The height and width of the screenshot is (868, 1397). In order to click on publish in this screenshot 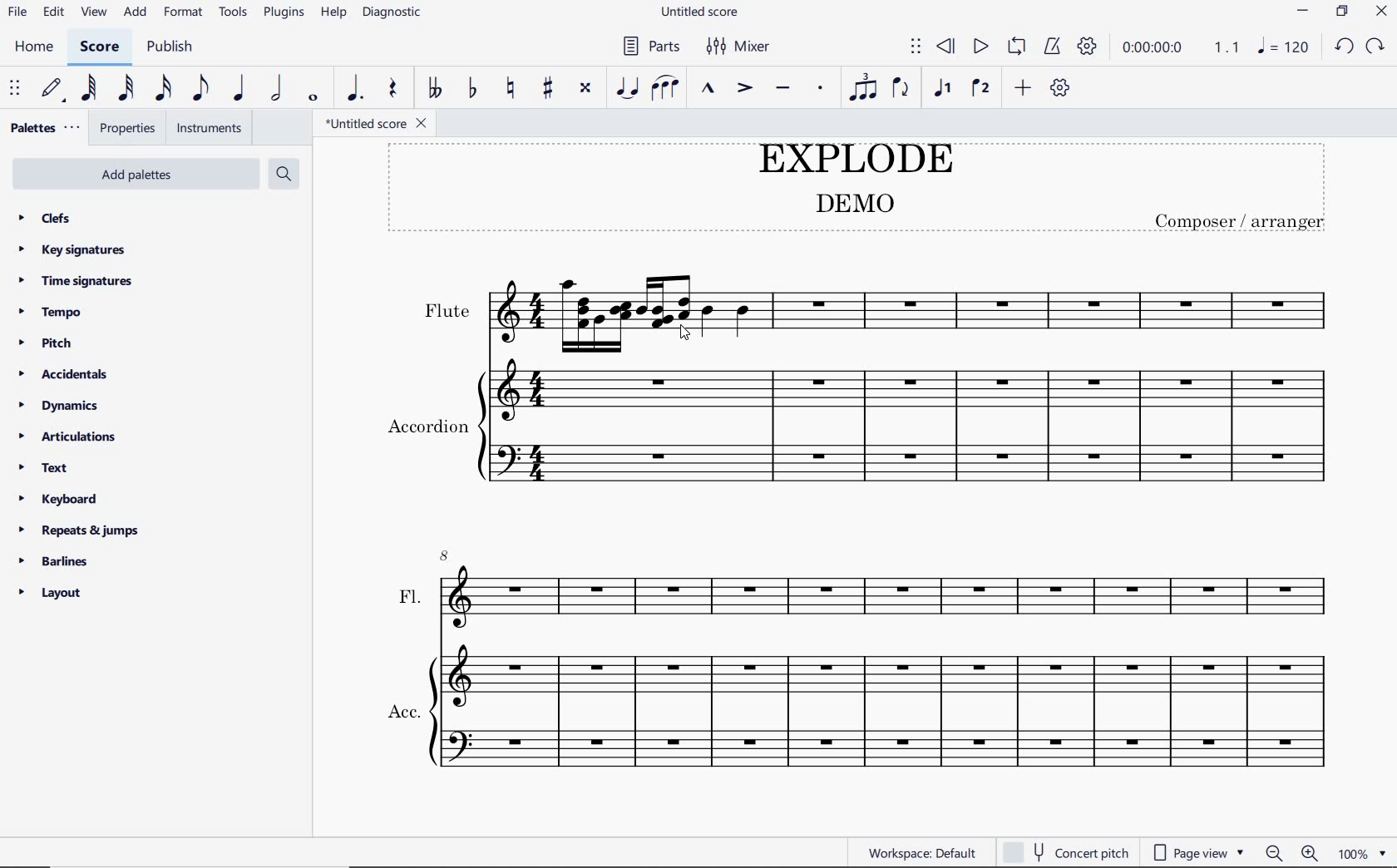, I will do `click(170, 47)`.